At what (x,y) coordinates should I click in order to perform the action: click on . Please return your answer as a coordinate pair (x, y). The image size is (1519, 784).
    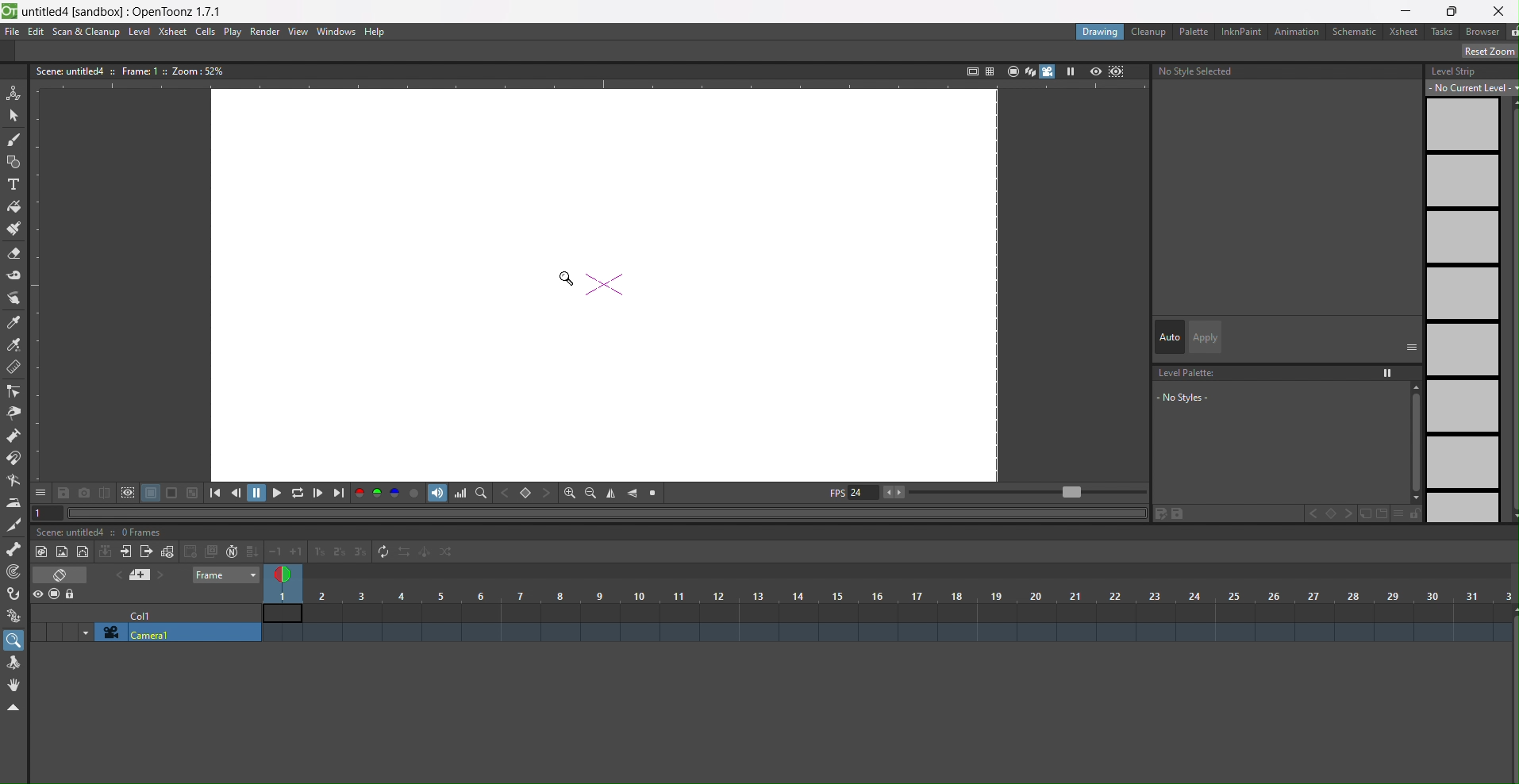
    Looking at the image, I should click on (656, 494).